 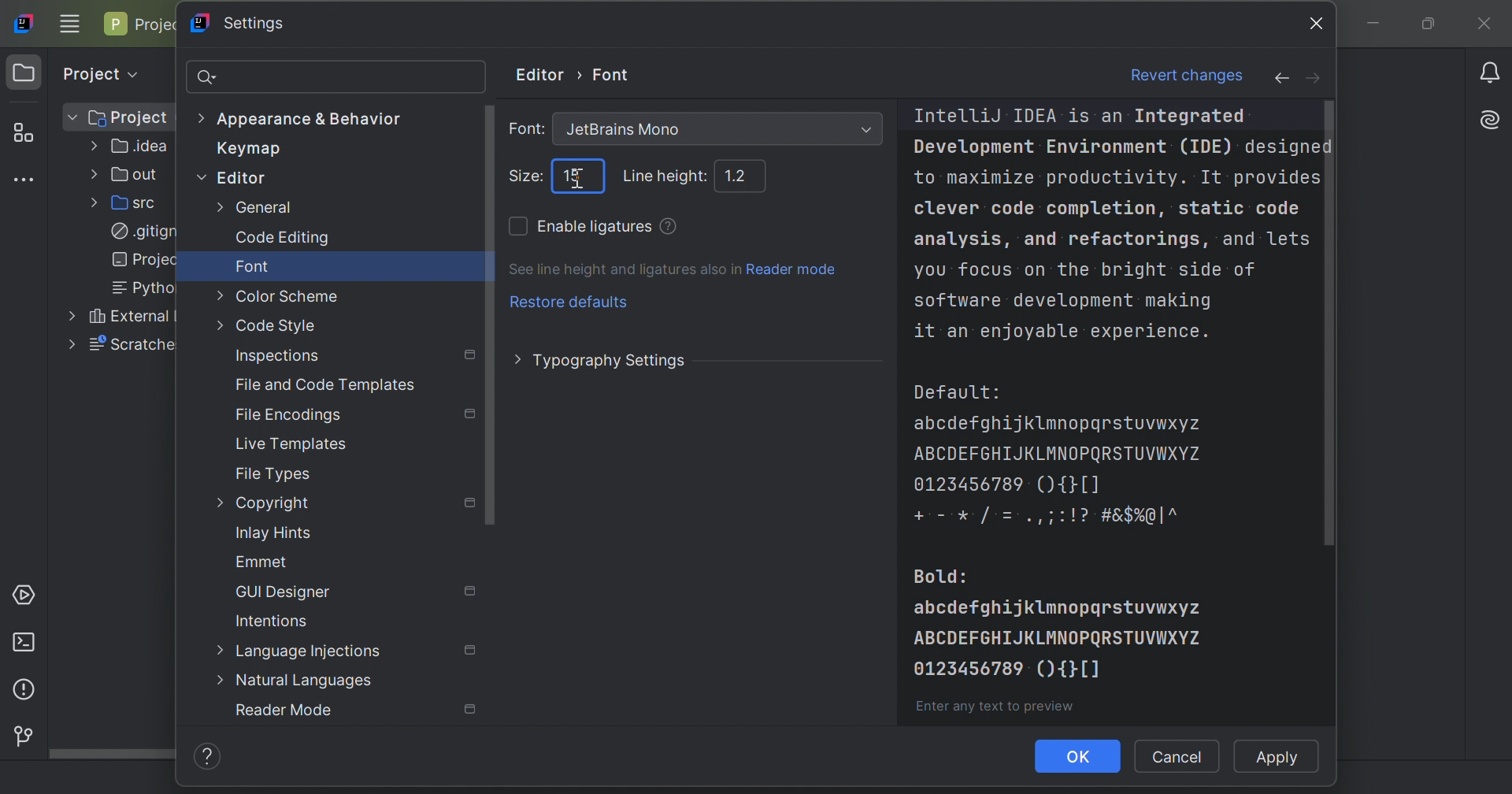 What do you see at coordinates (516, 228) in the screenshot?
I see `Checkbox` at bounding box center [516, 228].